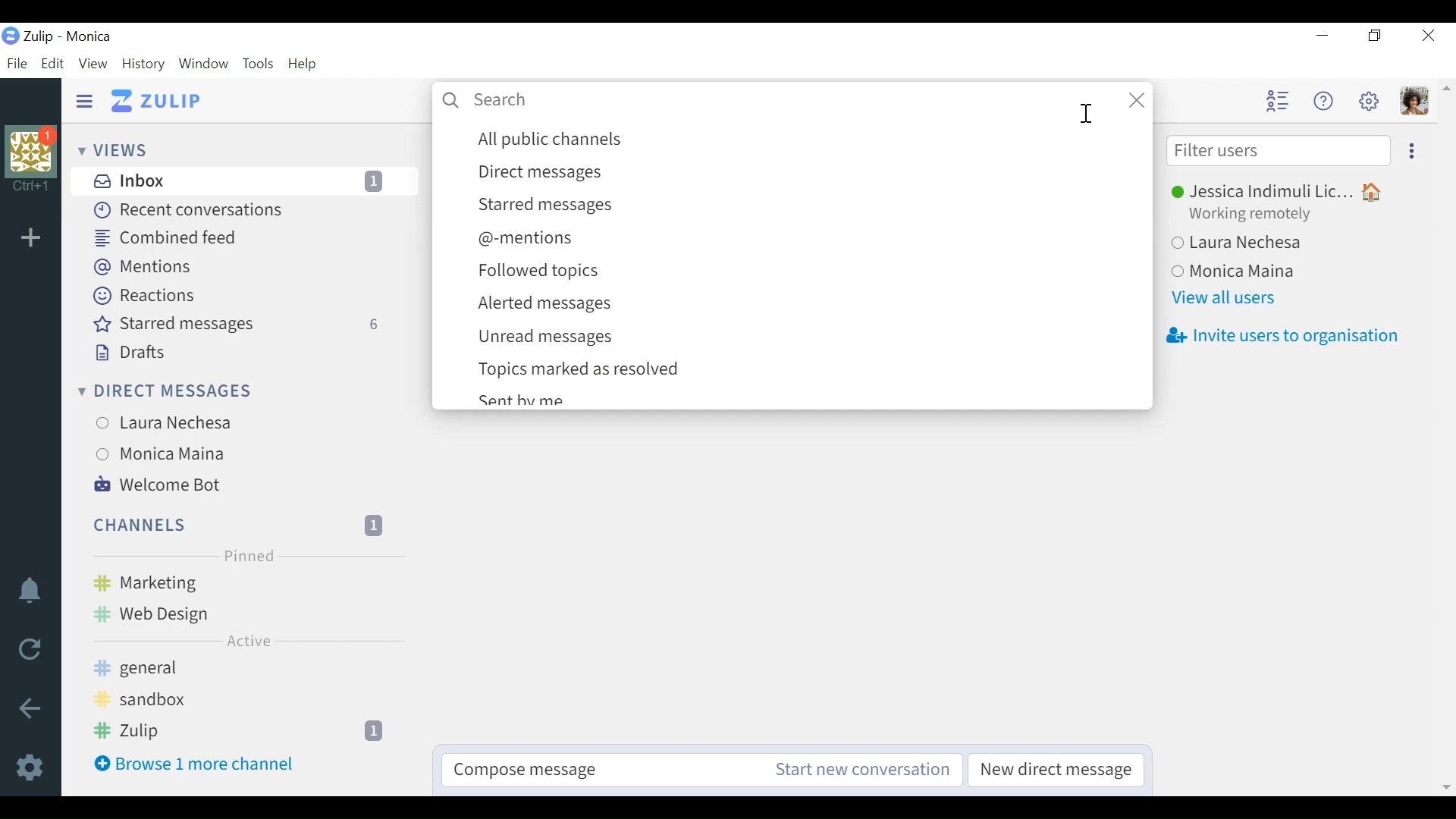 This screenshot has width=1456, height=819. Describe the element at coordinates (802, 369) in the screenshot. I see `Topics marked as resolved` at that location.